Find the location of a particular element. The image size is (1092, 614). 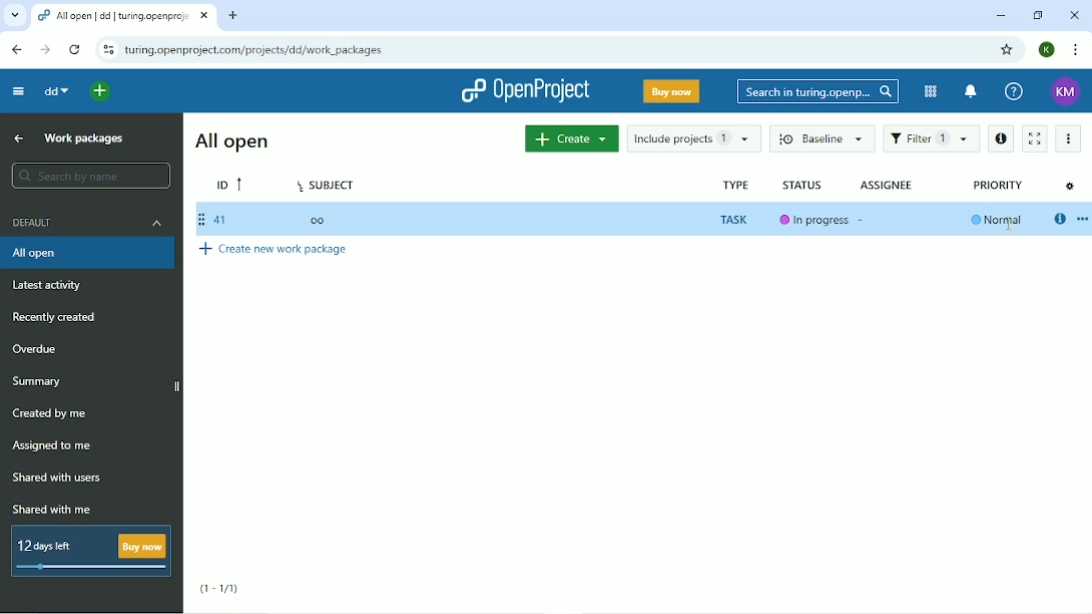

Summary is located at coordinates (40, 382).